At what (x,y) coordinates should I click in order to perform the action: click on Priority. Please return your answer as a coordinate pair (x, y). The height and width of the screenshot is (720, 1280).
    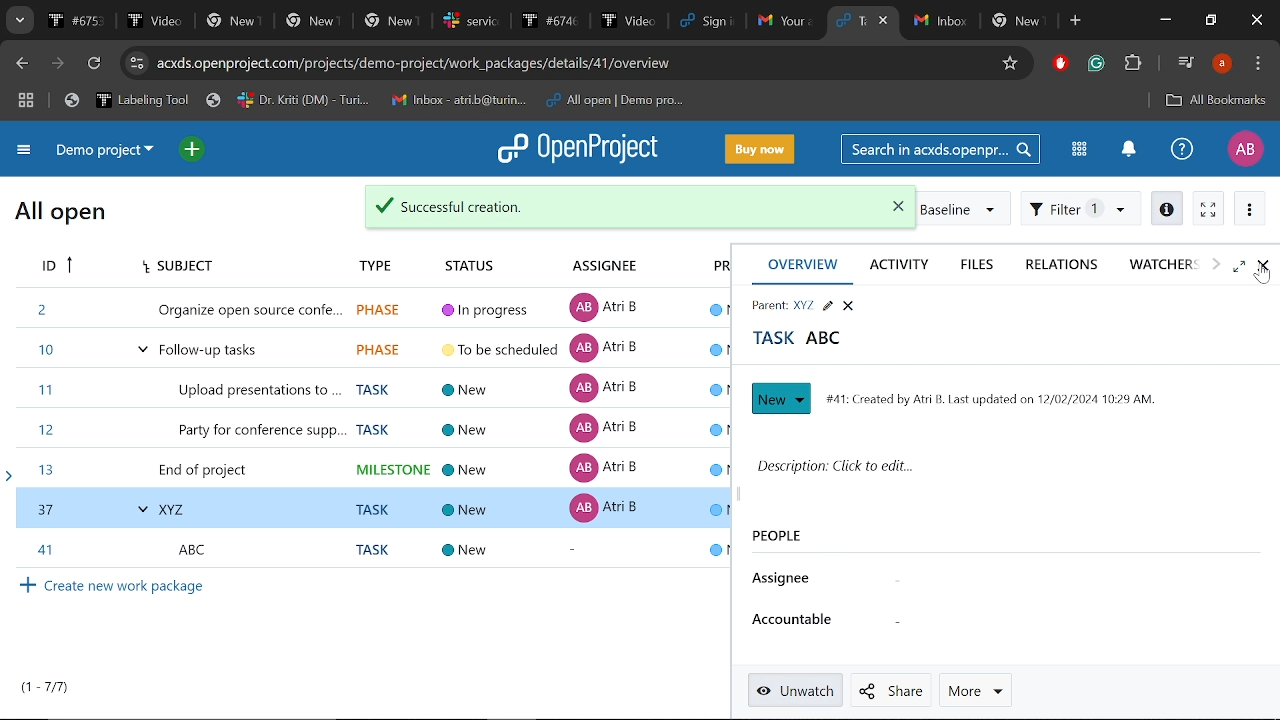
    Looking at the image, I should click on (702, 267).